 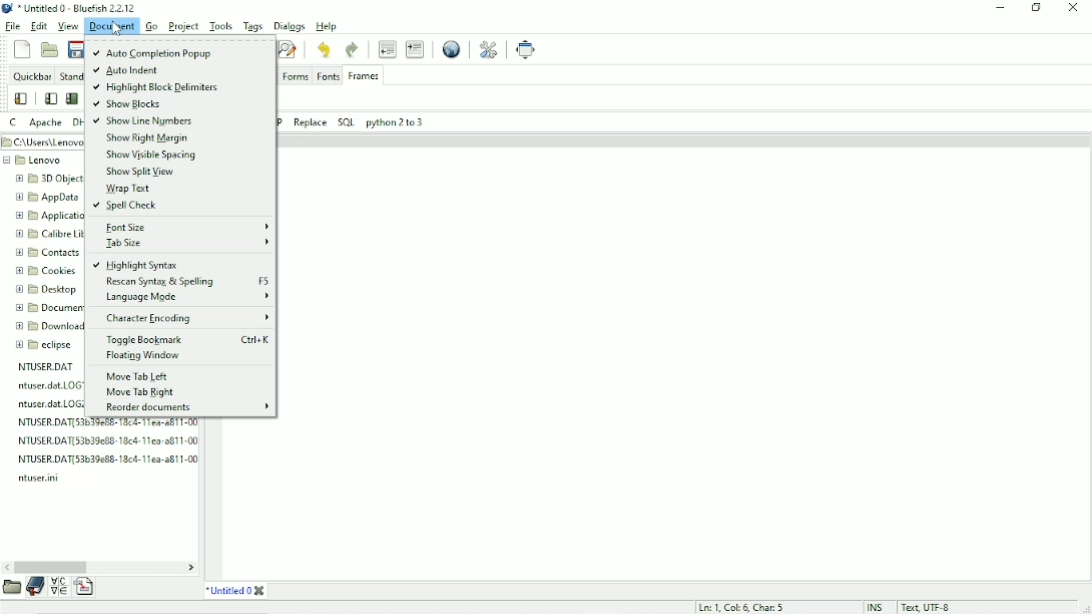 I want to click on Replace, so click(x=310, y=122).